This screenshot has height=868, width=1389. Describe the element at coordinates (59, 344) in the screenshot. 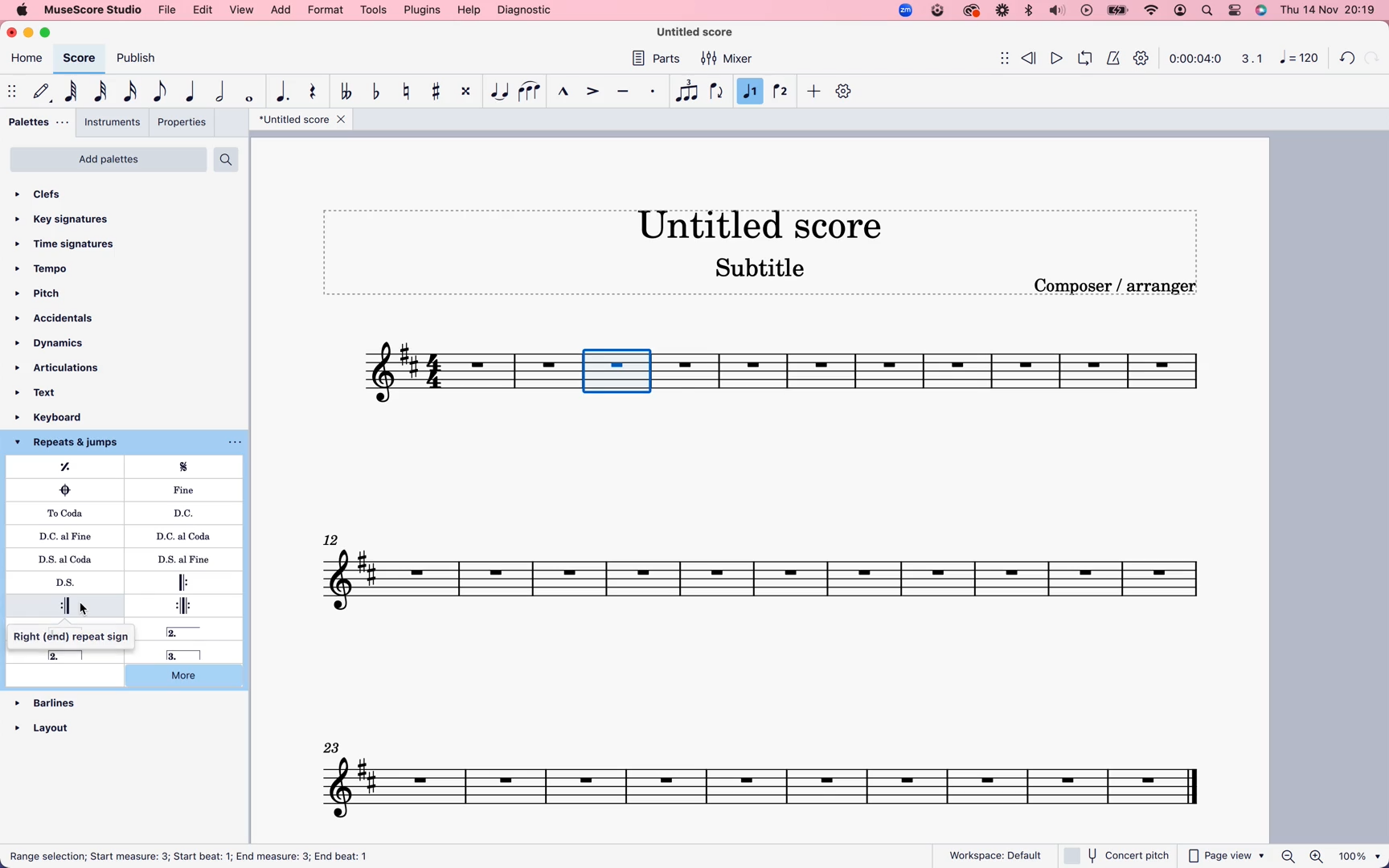

I see `dynamics` at that location.